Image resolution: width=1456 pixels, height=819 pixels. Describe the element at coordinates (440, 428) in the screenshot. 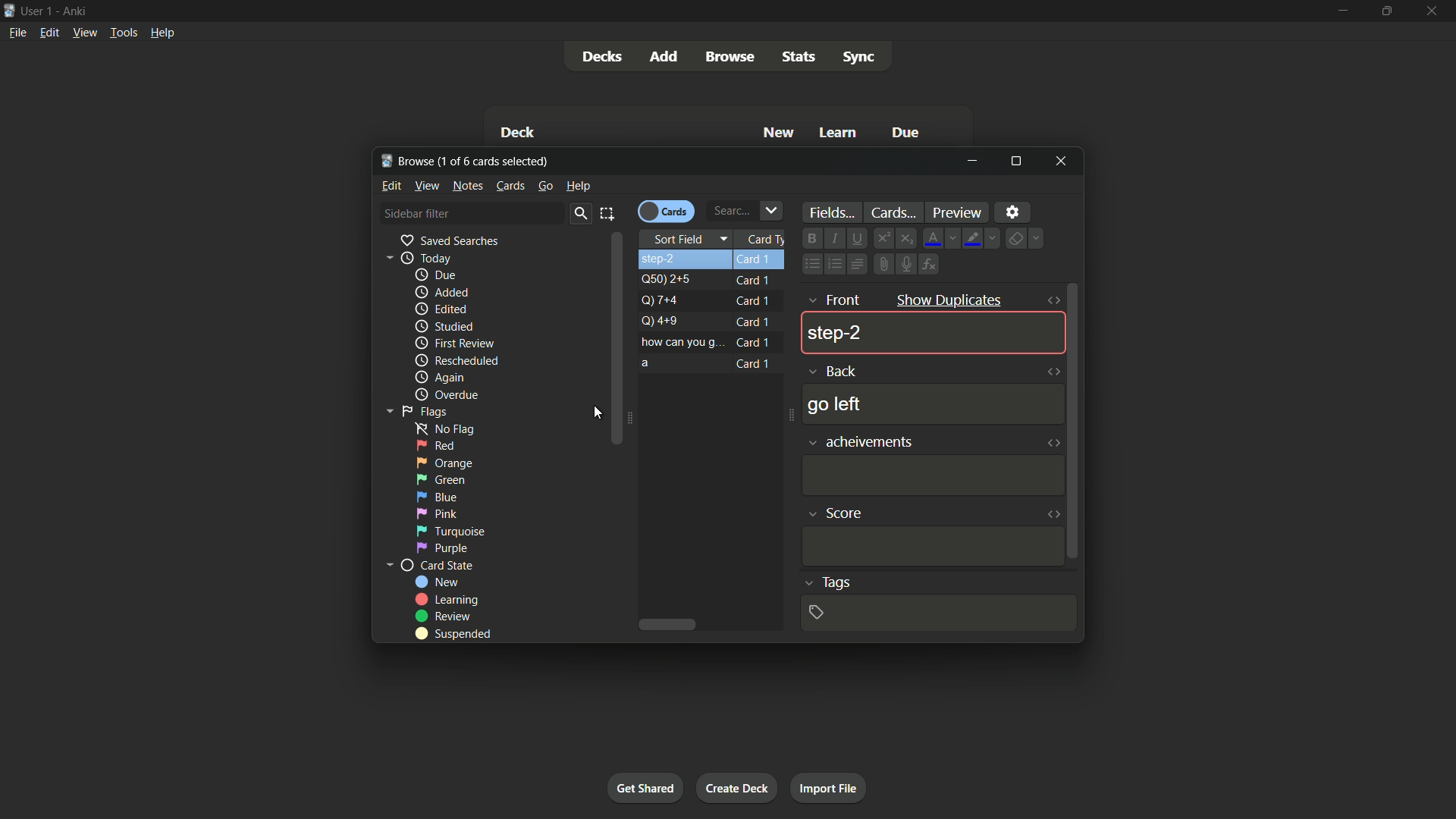

I see `no flag` at that location.